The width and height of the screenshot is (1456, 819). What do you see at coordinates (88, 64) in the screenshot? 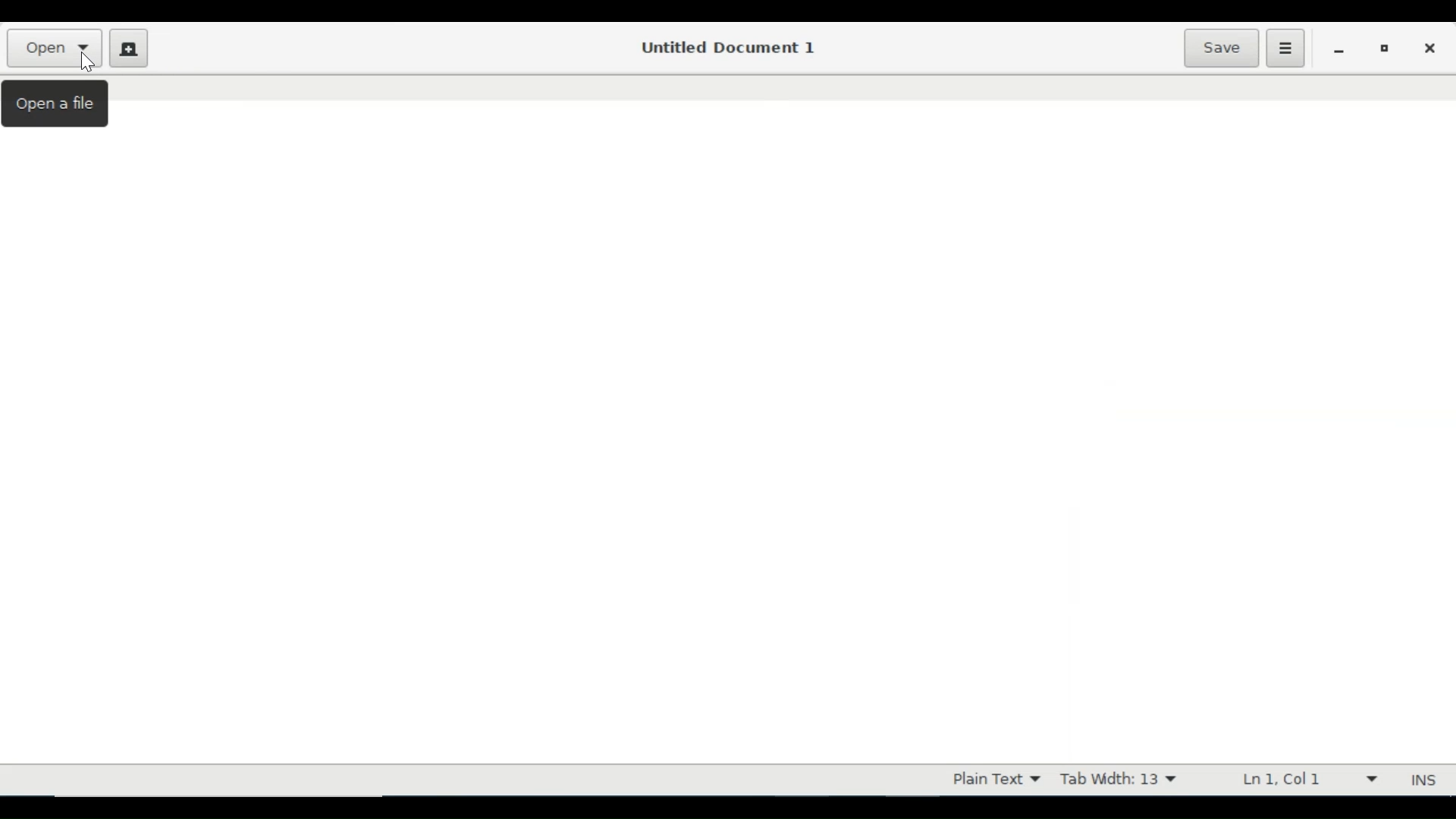
I see `Cursor on Open` at bounding box center [88, 64].